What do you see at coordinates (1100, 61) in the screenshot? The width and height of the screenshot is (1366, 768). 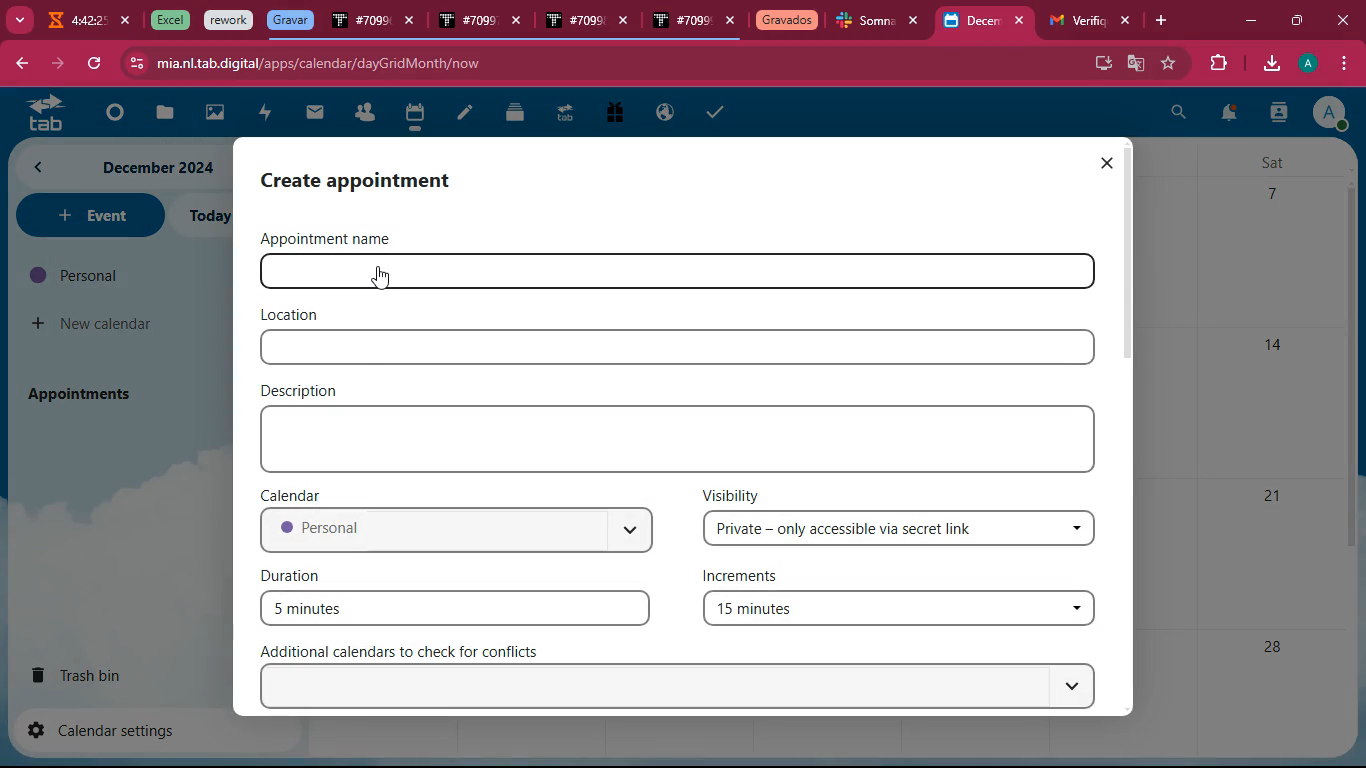 I see `desktop` at bounding box center [1100, 61].